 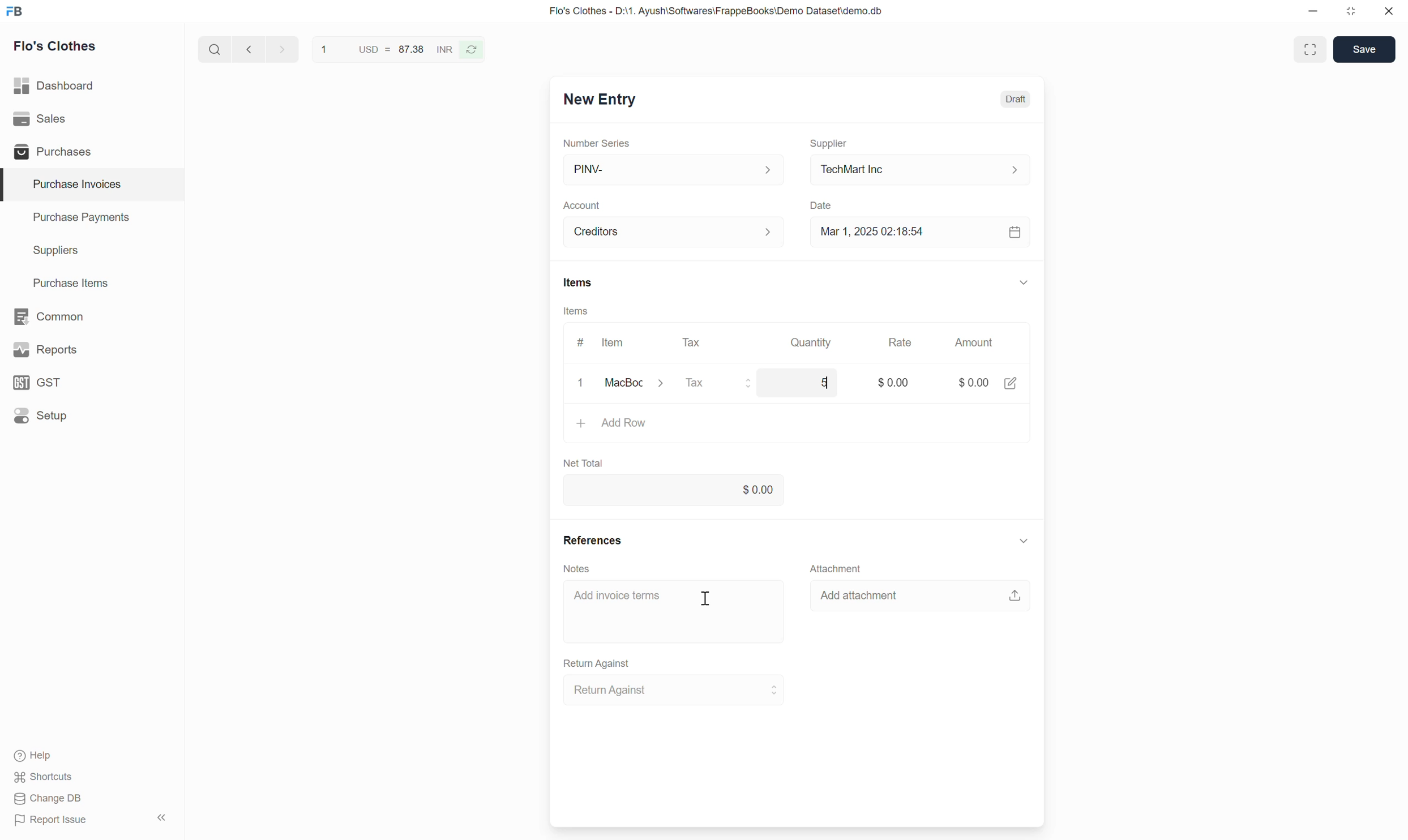 What do you see at coordinates (55, 46) in the screenshot?
I see `Flo's Clothes` at bounding box center [55, 46].